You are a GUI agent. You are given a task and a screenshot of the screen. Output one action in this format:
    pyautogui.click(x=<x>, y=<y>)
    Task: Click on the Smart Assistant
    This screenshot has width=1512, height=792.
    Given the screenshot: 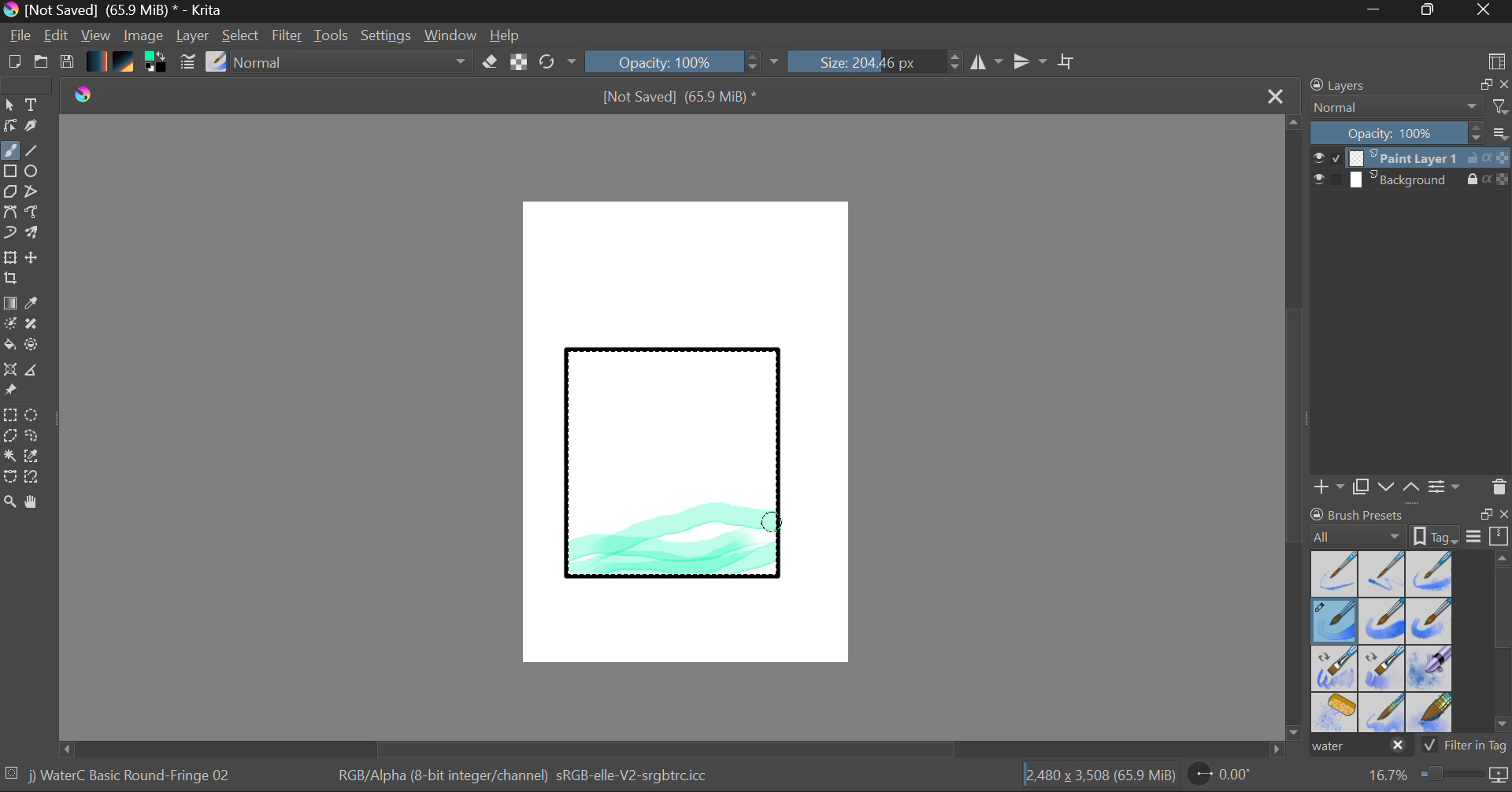 What is the action you would take?
    pyautogui.click(x=9, y=372)
    